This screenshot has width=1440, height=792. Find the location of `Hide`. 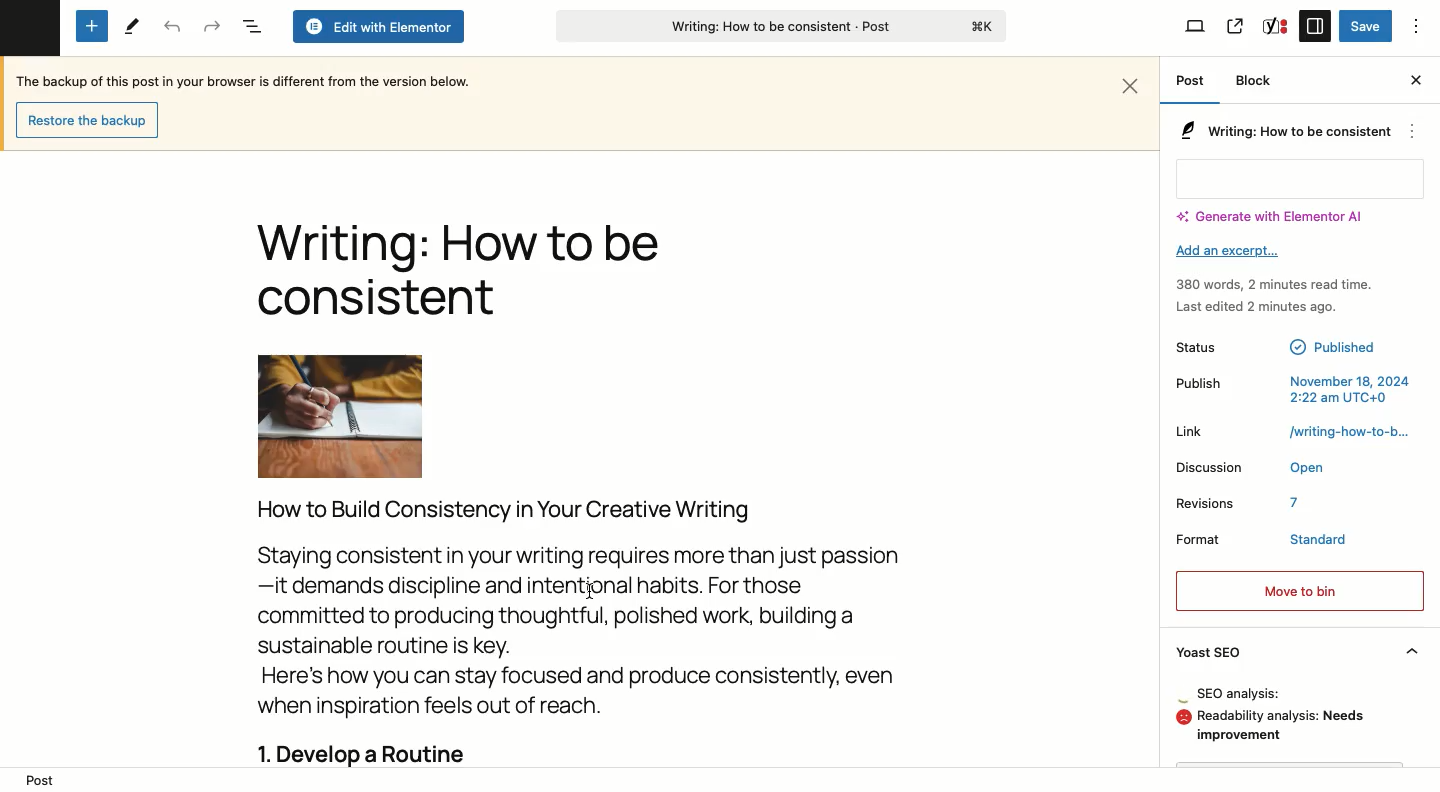

Hide is located at coordinates (1412, 647).